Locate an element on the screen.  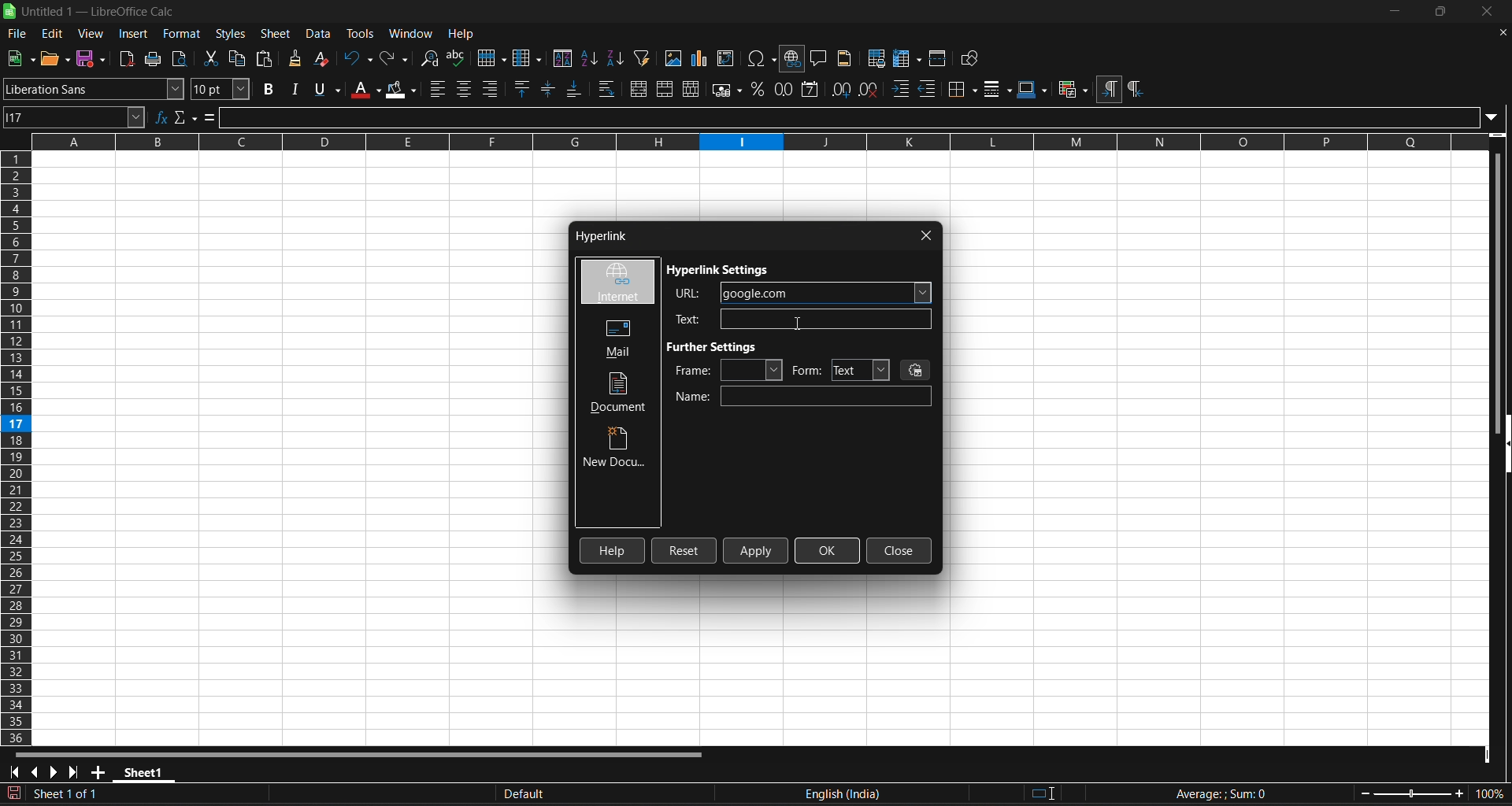
insert hyperlink is located at coordinates (793, 59).